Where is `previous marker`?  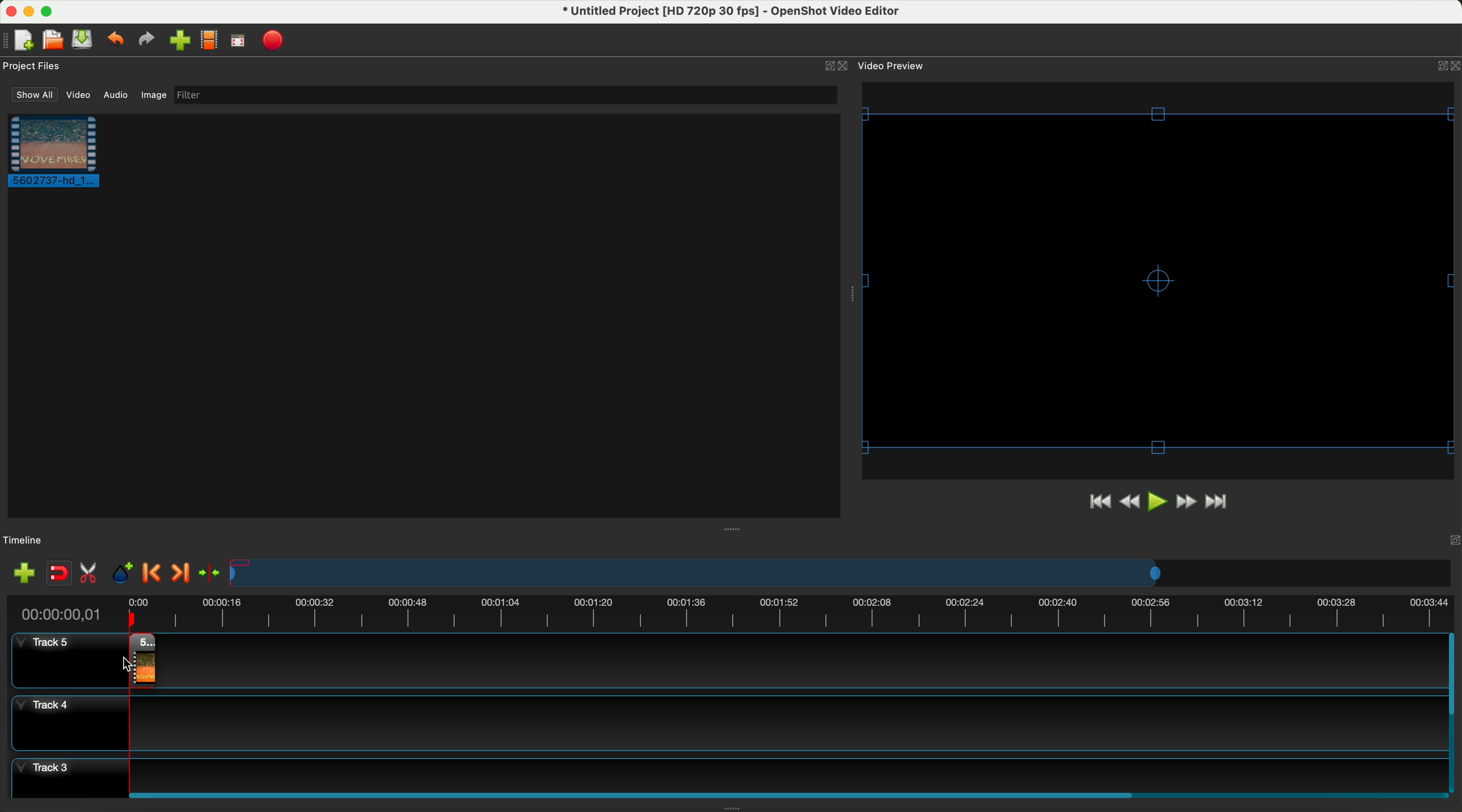 previous marker is located at coordinates (153, 573).